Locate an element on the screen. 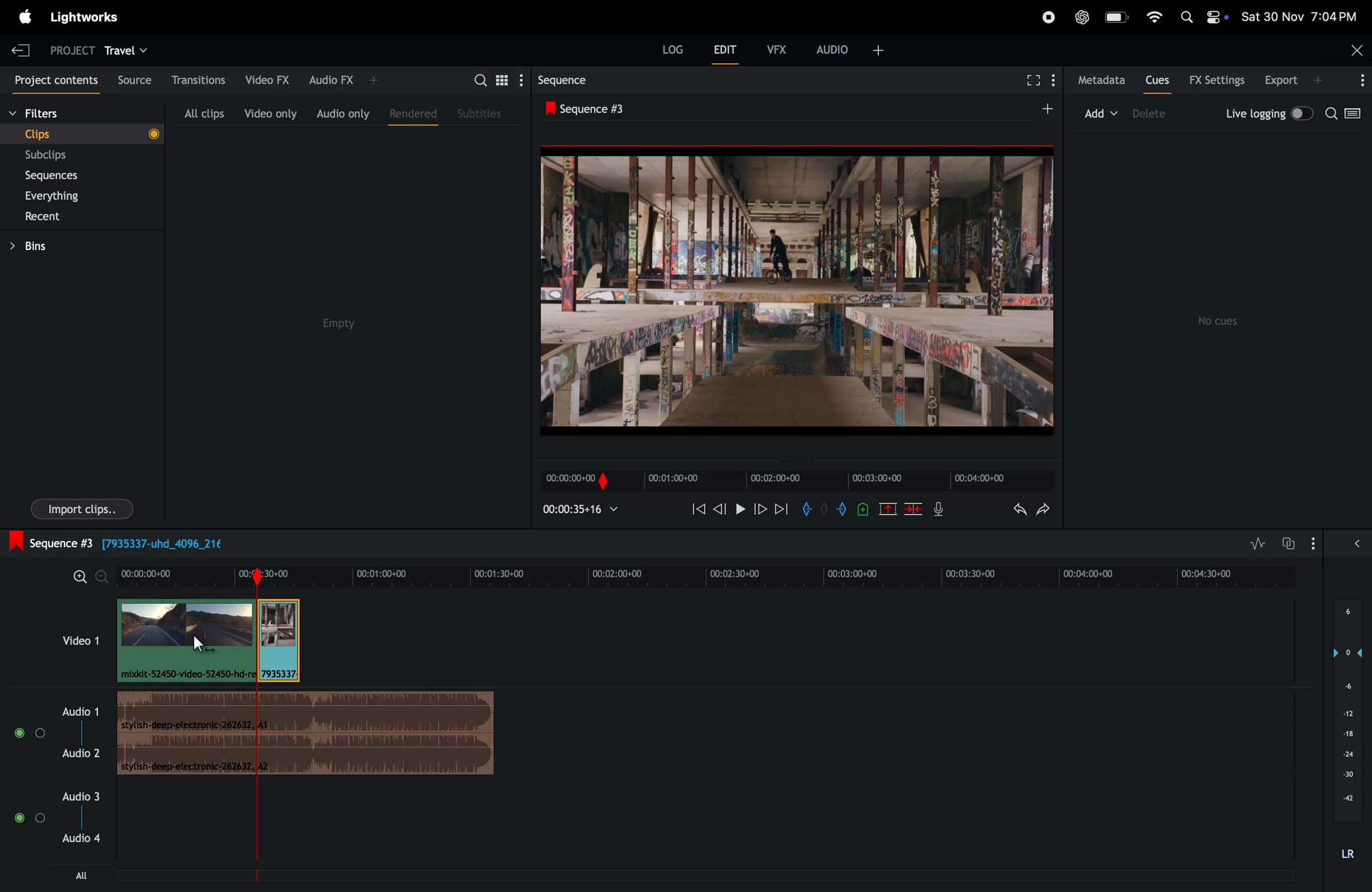 The image size is (1372, 892). time frame is located at coordinates (795, 480).